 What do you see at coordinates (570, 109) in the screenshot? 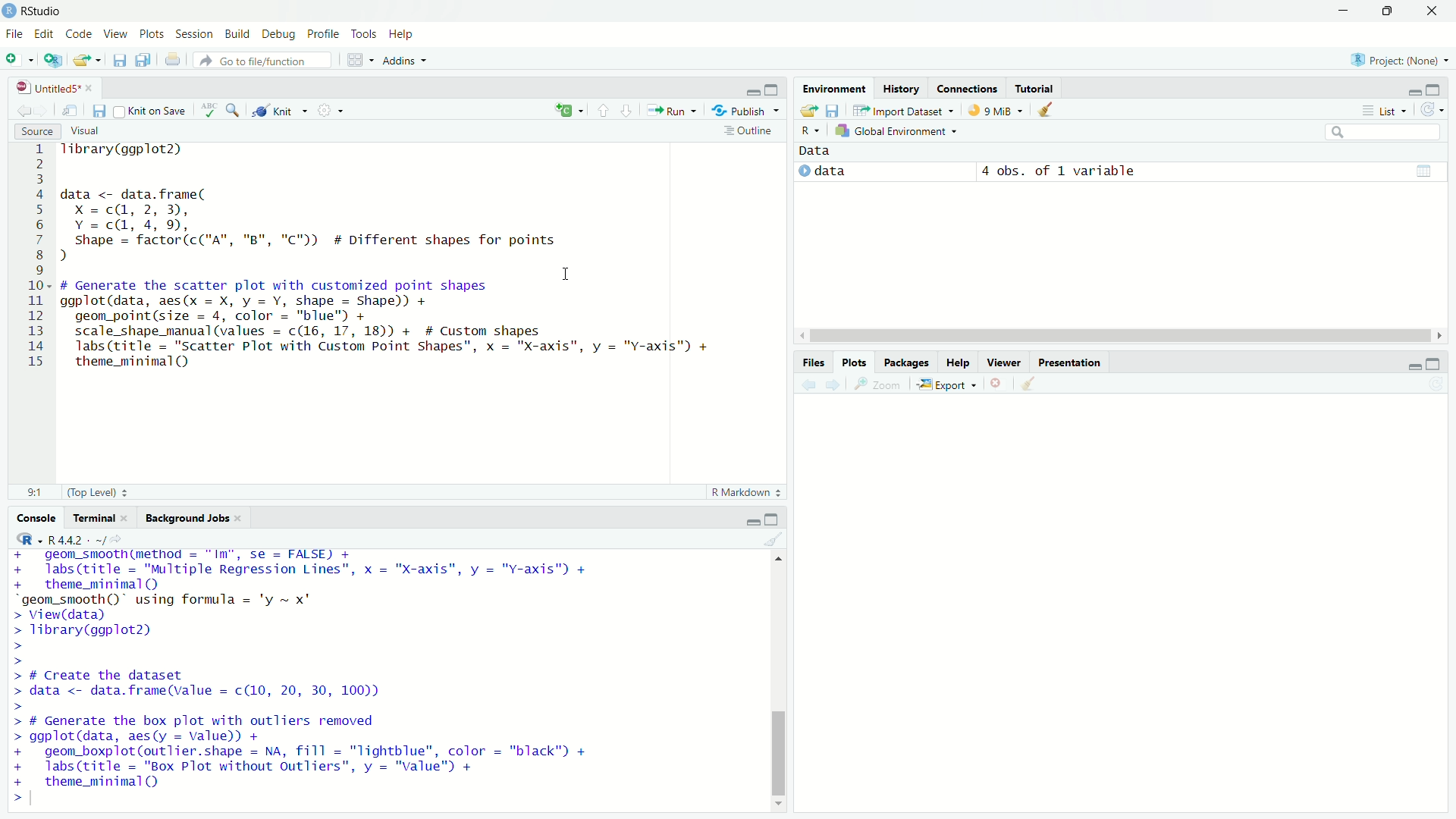
I see `insert a new code/chunk` at bounding box center [570, 109].